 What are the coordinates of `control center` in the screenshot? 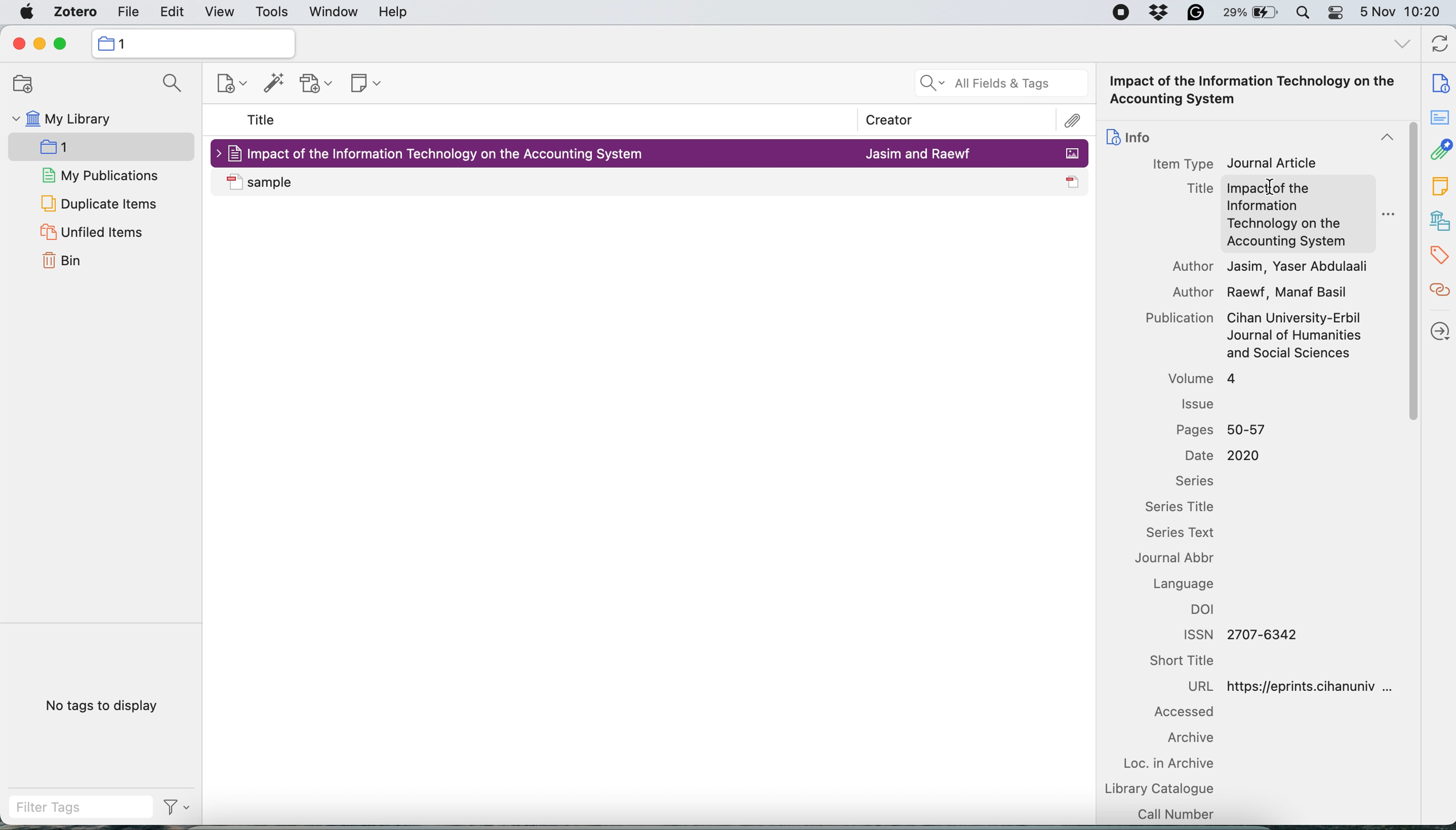 It's located at (1338, 14).